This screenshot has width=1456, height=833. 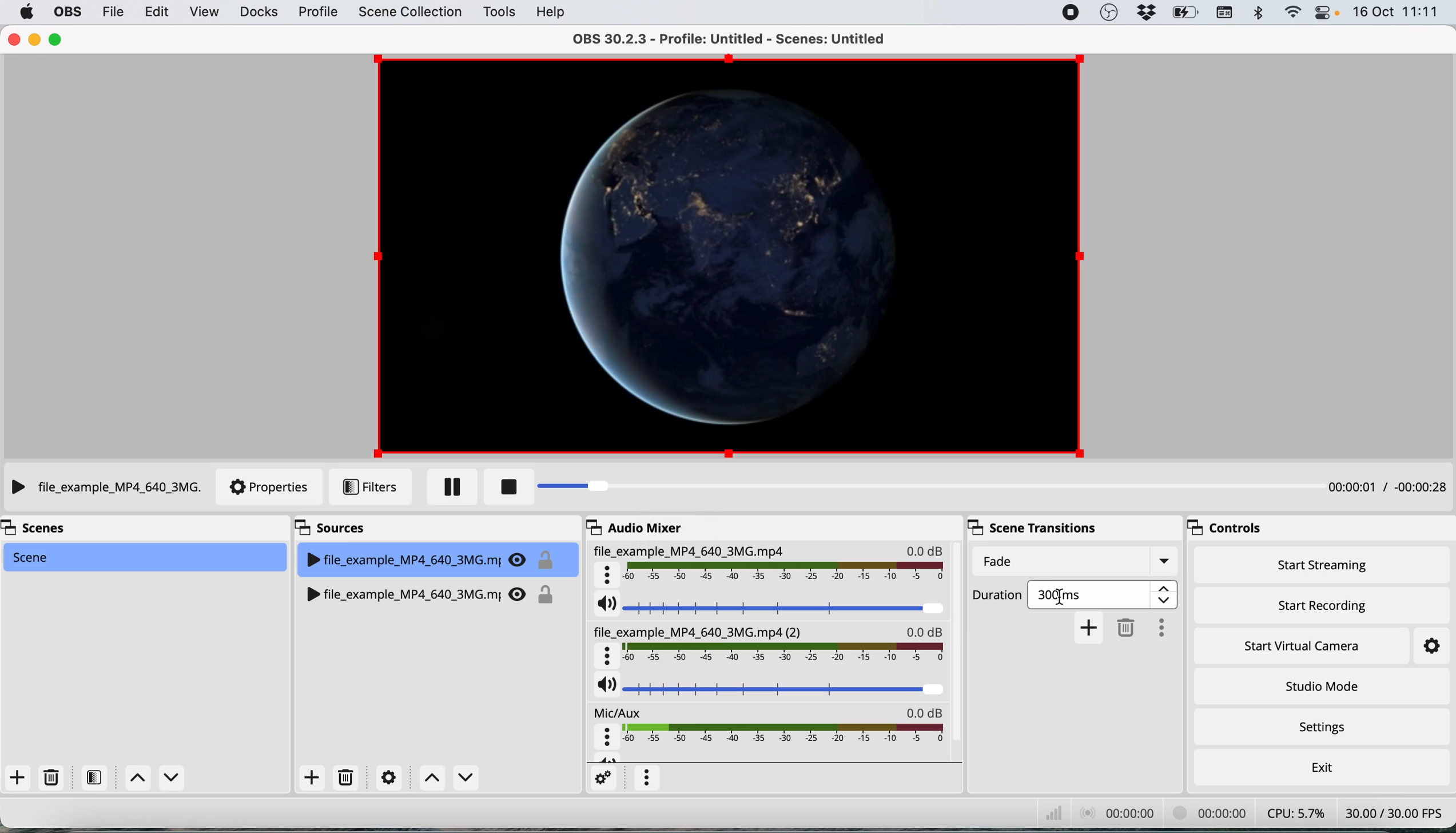 What do you see at coordinates (647, 778) in the screenshot?
I see `more options` at bounding box center [647, 778].